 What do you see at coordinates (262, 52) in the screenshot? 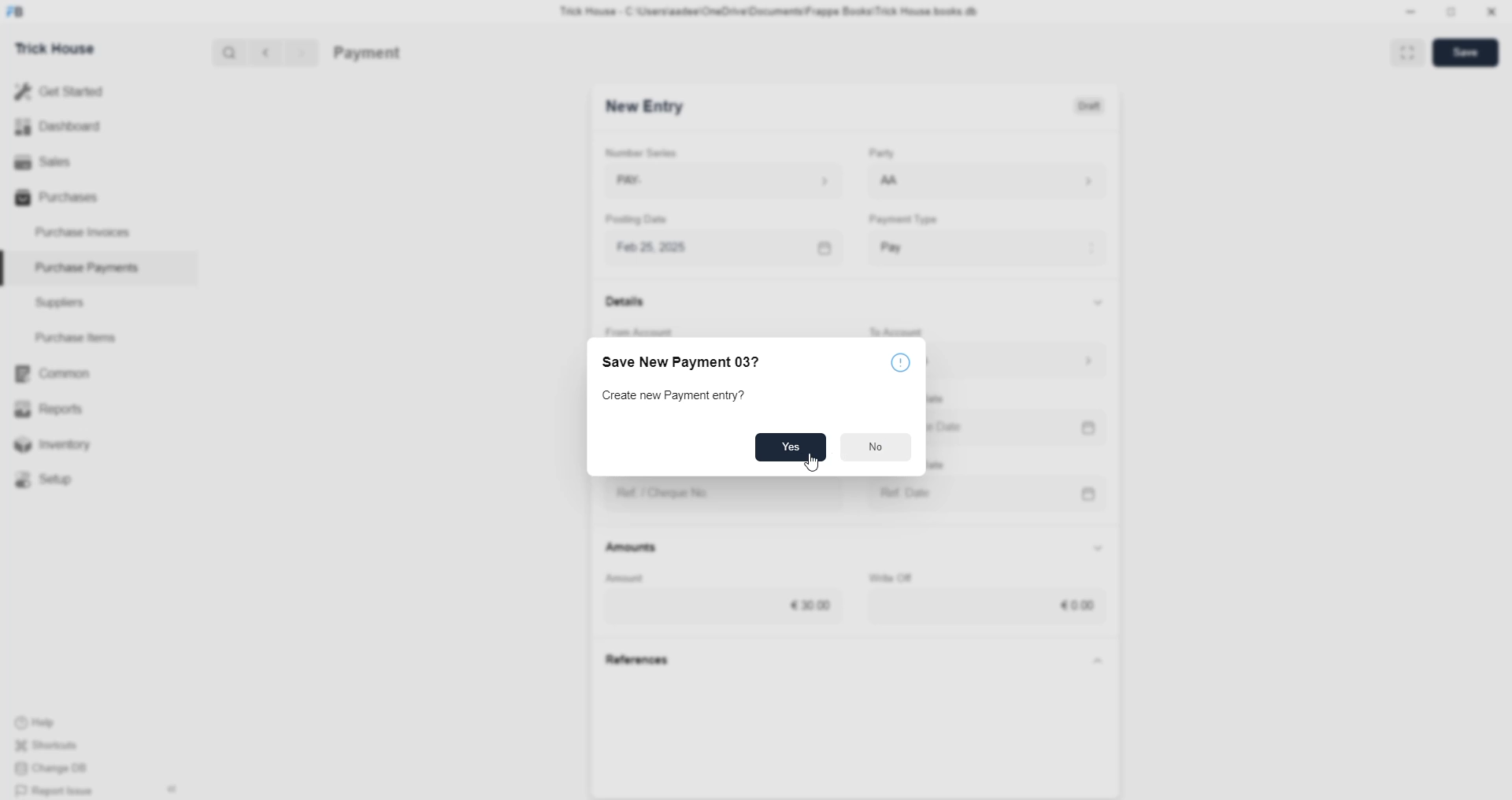
I see `<` at bounding box center [262, 52].